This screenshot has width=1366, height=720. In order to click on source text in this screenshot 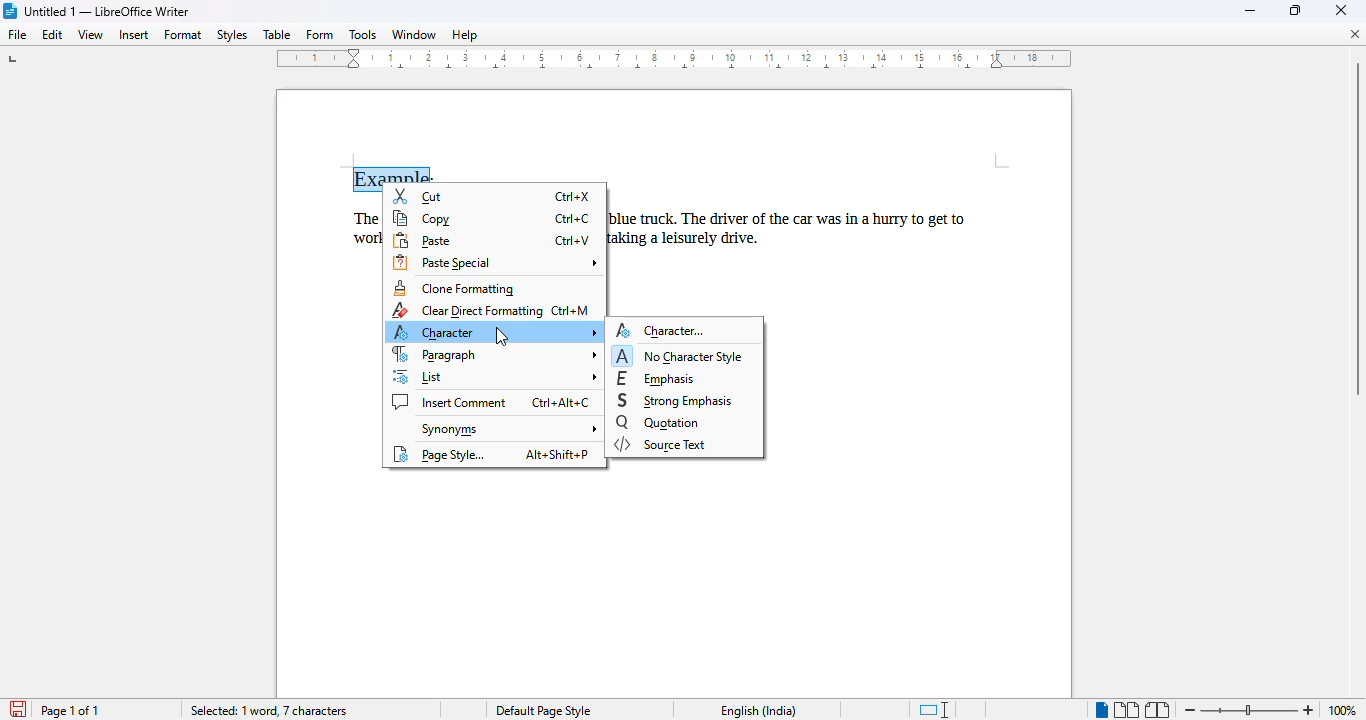, I will do `click(660, 443)`.